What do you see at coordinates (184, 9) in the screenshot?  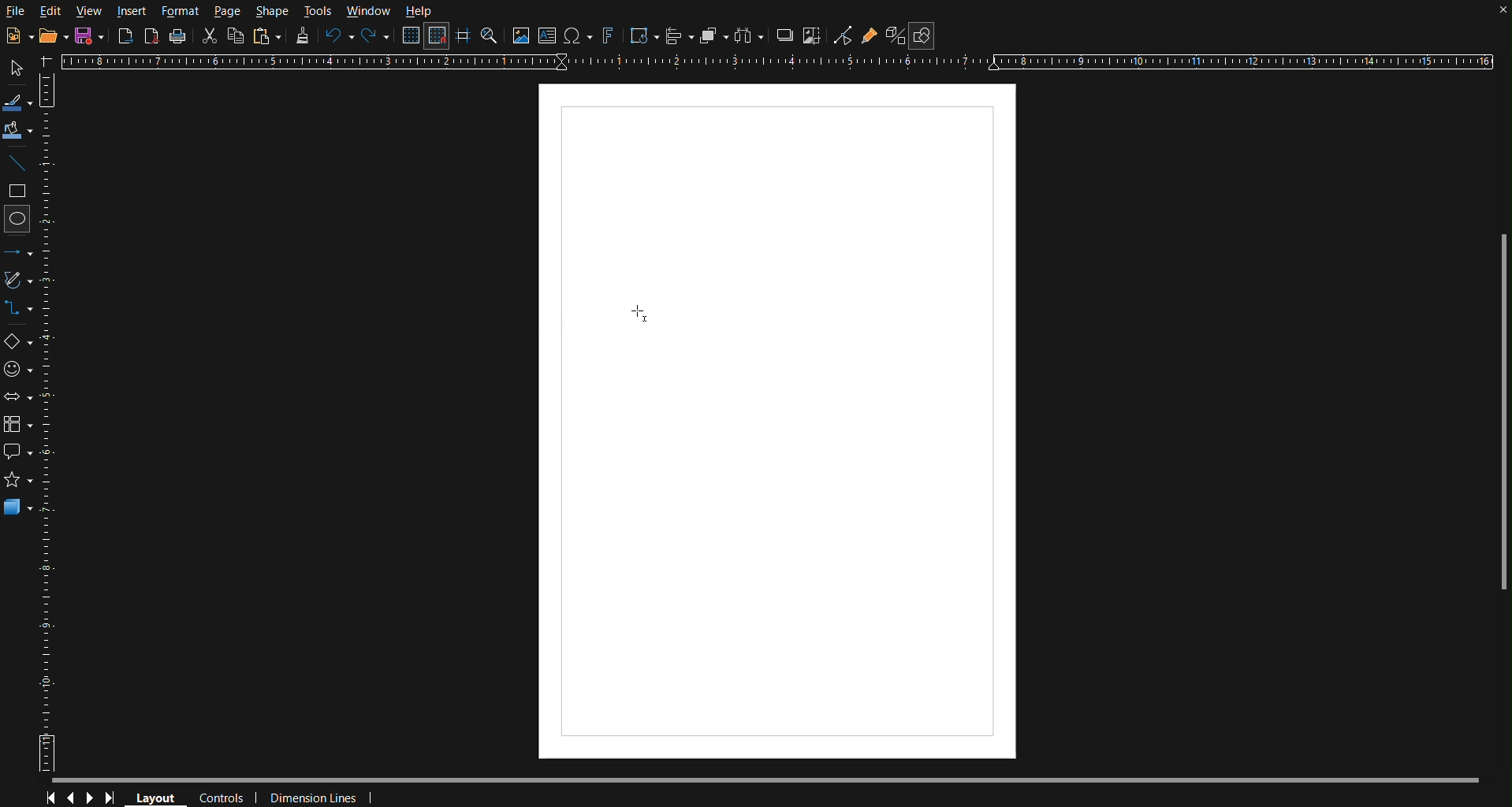 I see `Format` at bounding box center [184, 9].